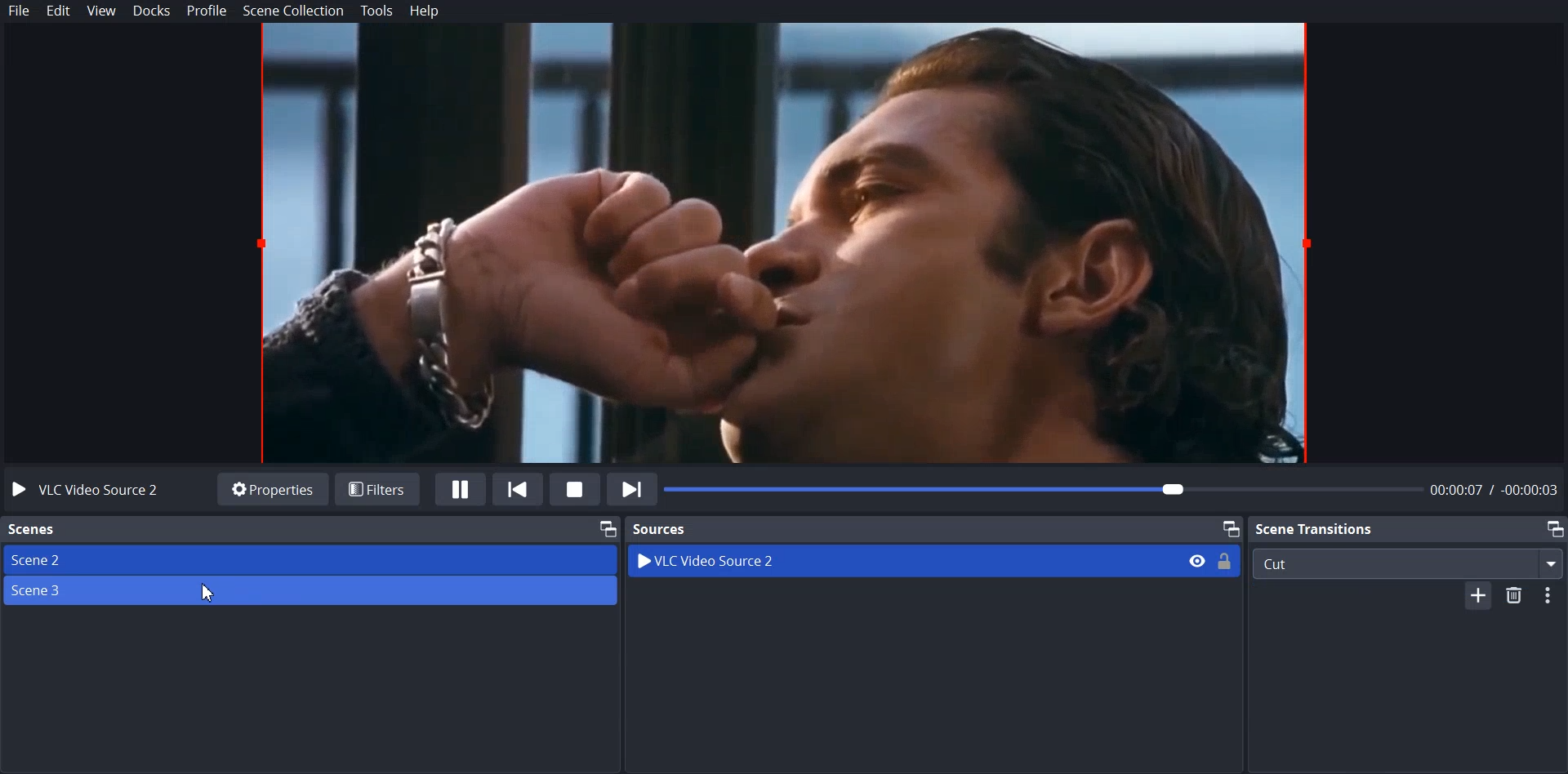 The width and height of the screenshot is (1568, 774). I want to click on Filters, so click(378, 487).